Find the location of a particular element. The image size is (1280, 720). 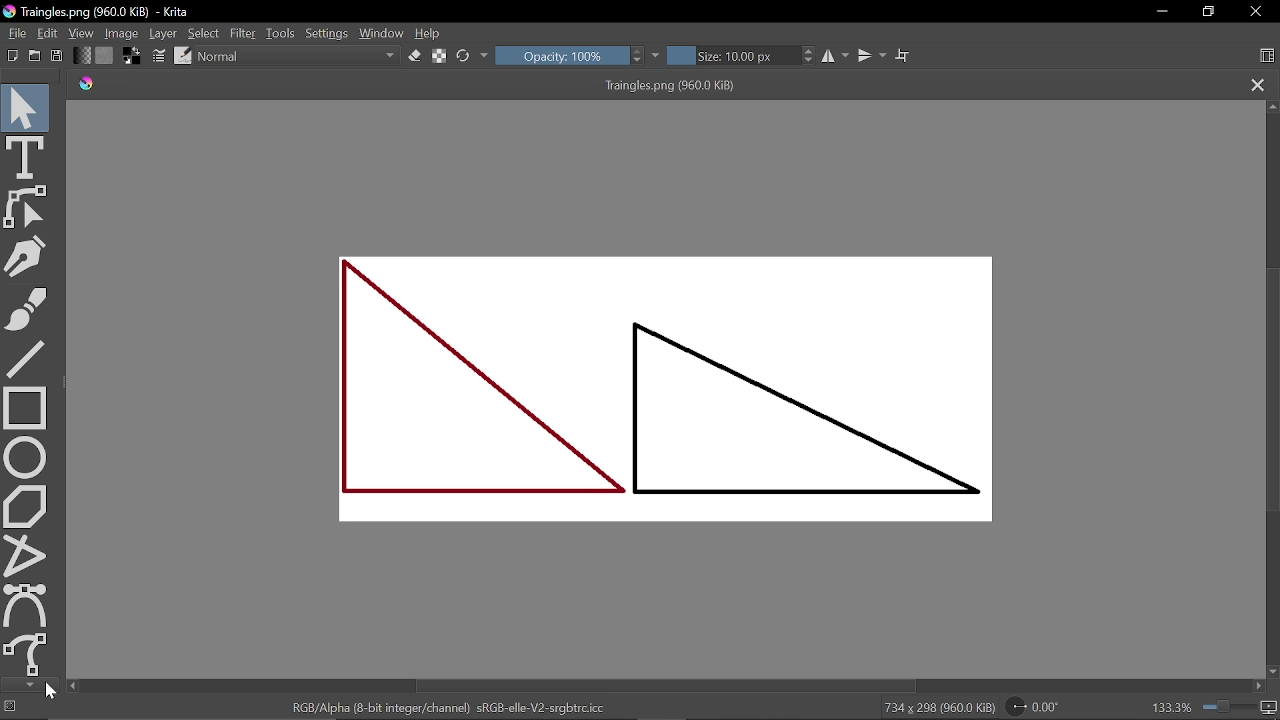

Open existing document is located at coordinates (34, 56).